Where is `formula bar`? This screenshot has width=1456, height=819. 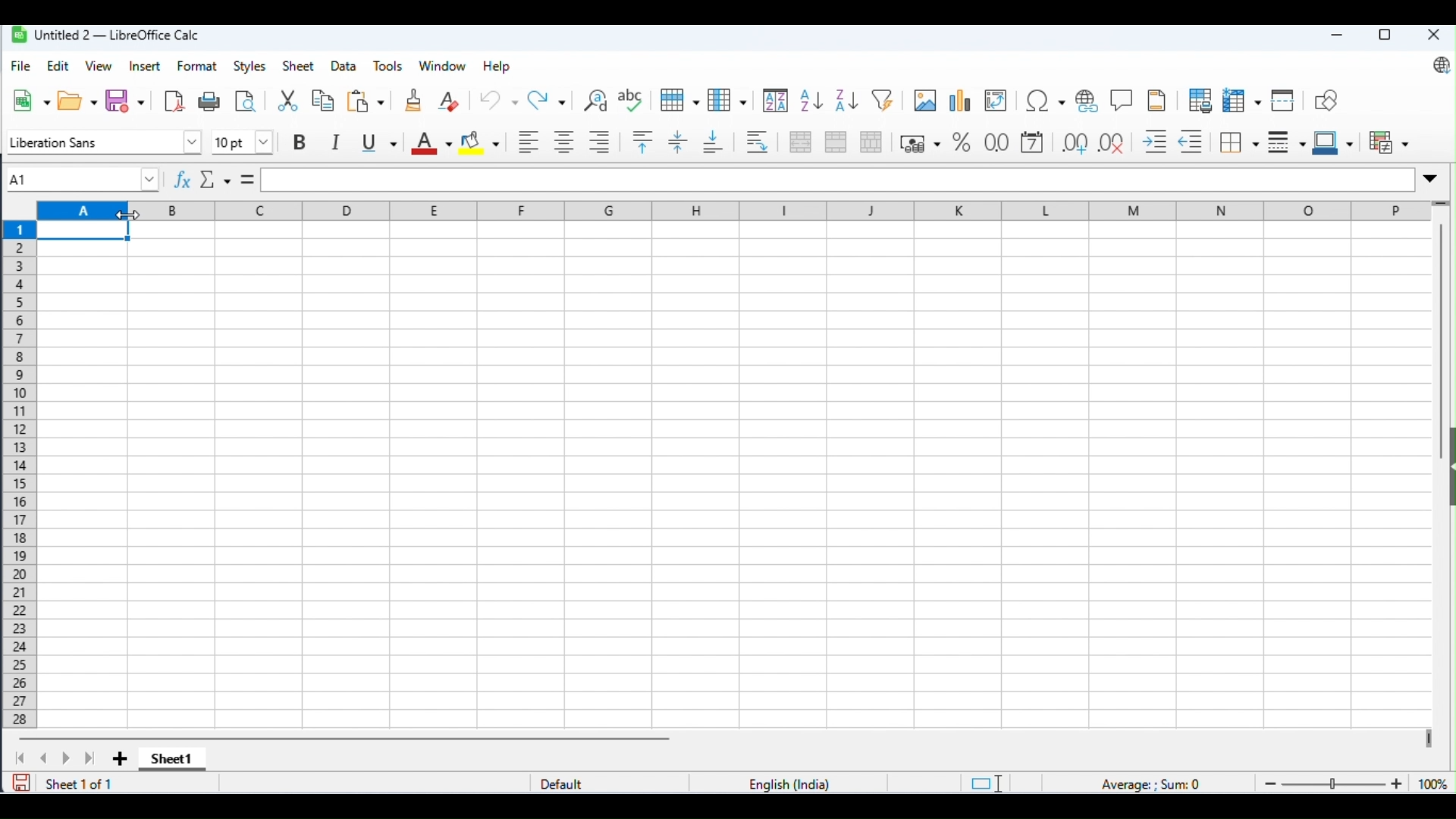
formula bar is located at coordinates (836, 180).